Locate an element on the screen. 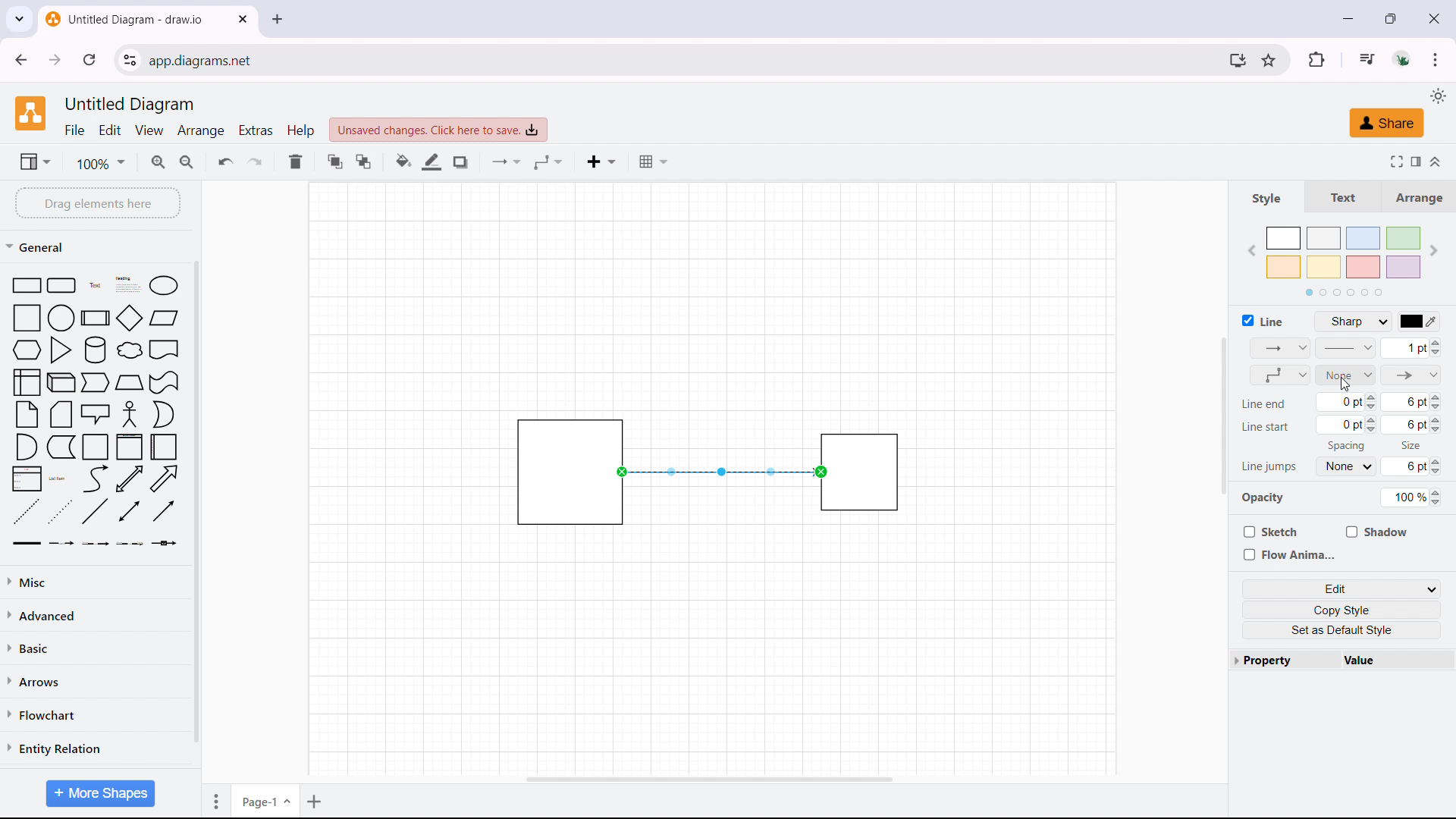 This screenshot has width=1456, height=819. shadow is located at coordinates (460, 162).